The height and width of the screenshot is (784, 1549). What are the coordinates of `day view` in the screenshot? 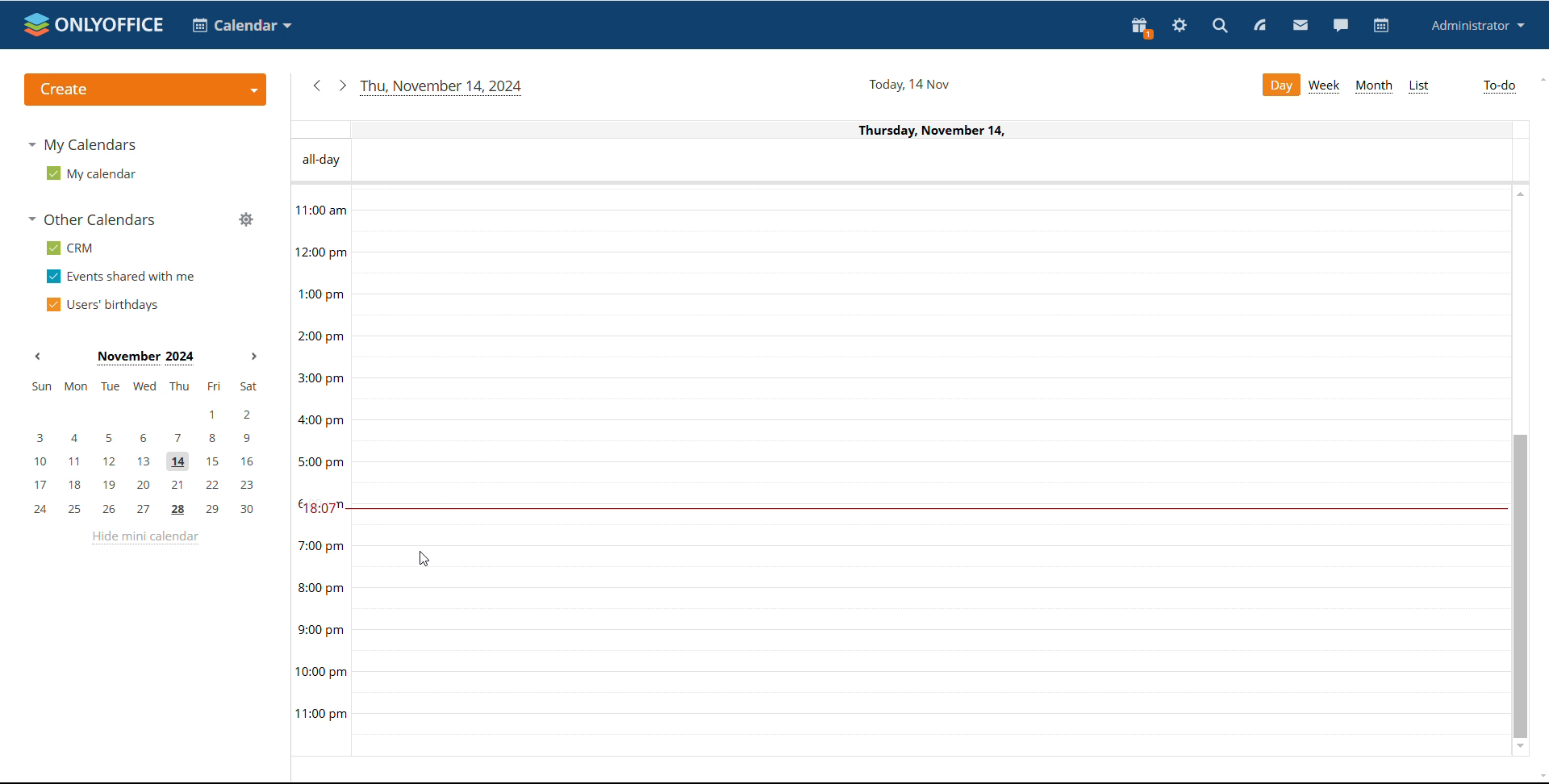 It's located at (1280, 85).